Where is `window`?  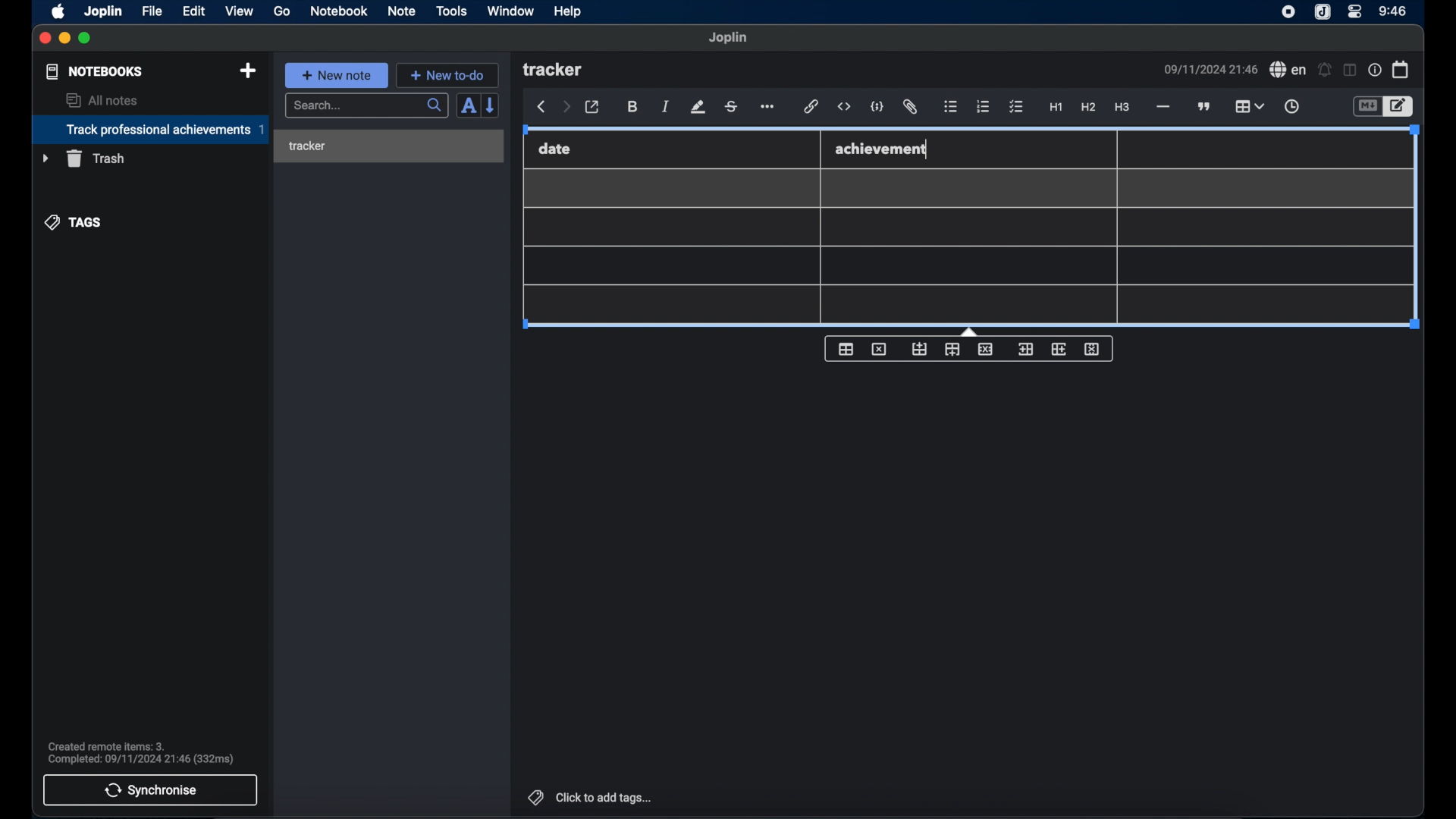 window is located at coordinates (510, 11).